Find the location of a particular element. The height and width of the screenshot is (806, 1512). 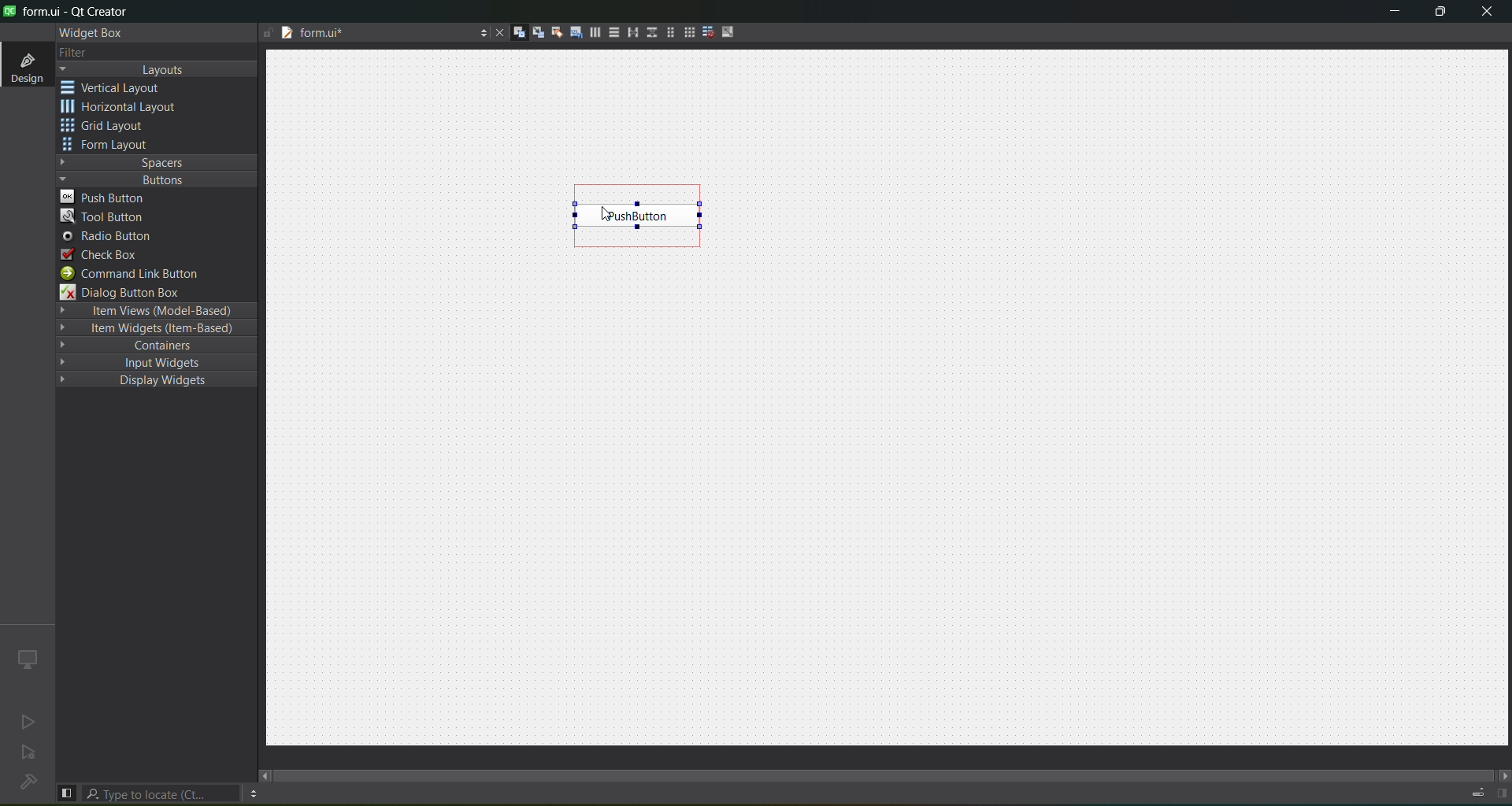

item widgets is located at coordinates (154, 331).